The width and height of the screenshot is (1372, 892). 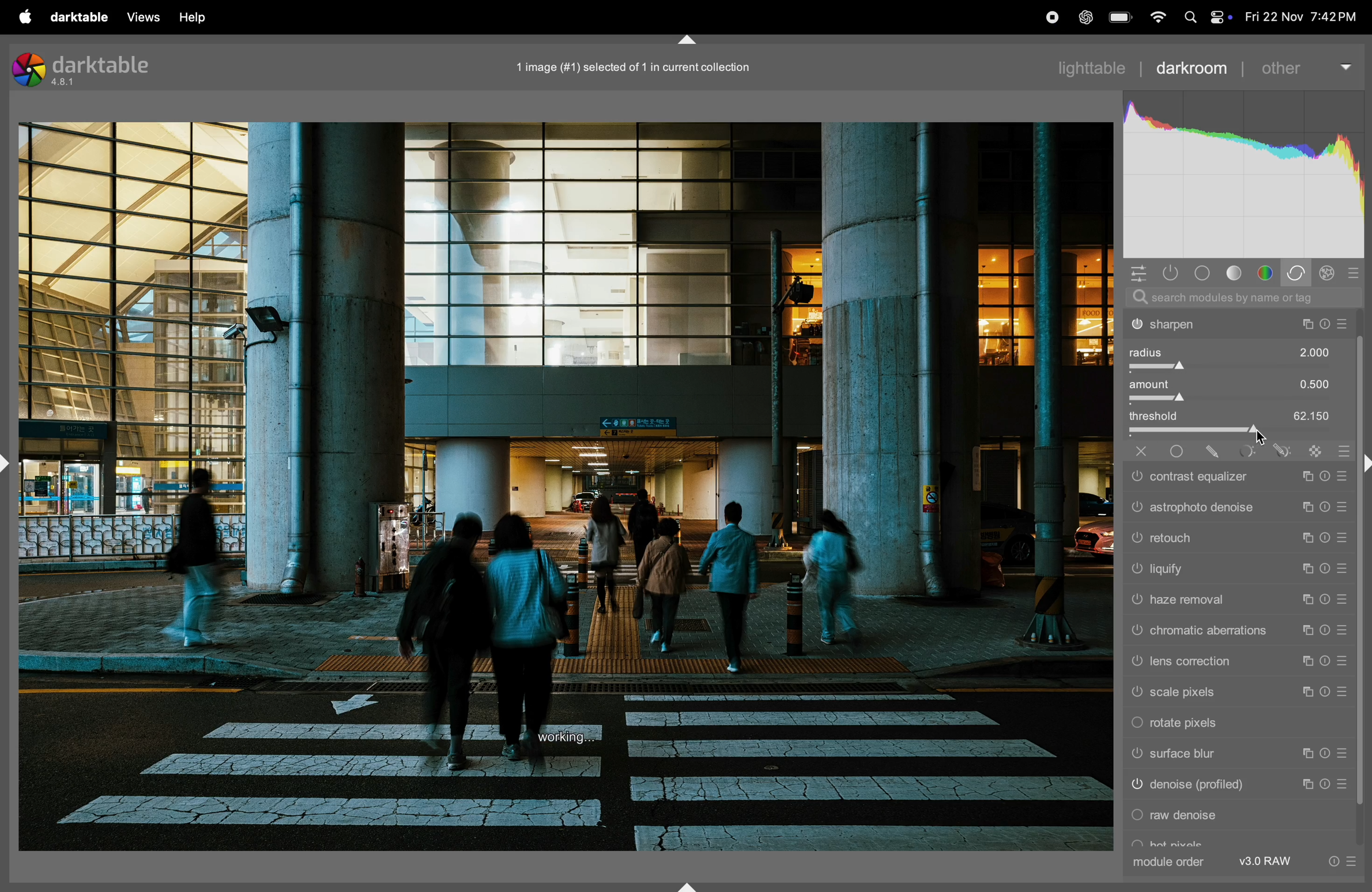 What do you see at coordinates (1340, 448) in the screenshot?
I see `reset` at bounding box center [1340, 448].